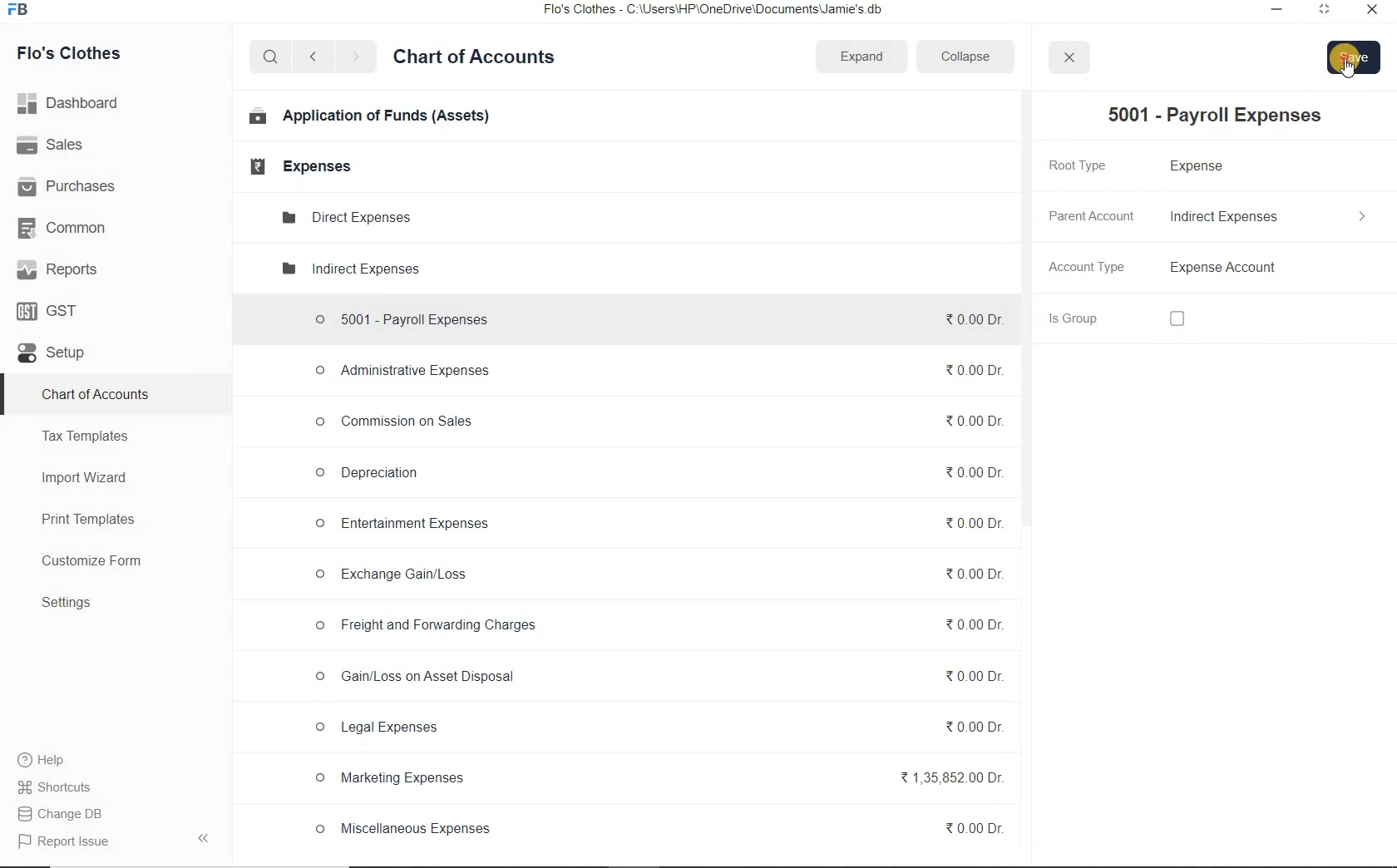 This screenshot has width=1397, height=868. I want to click on Direct Expense, so click(344, 216).